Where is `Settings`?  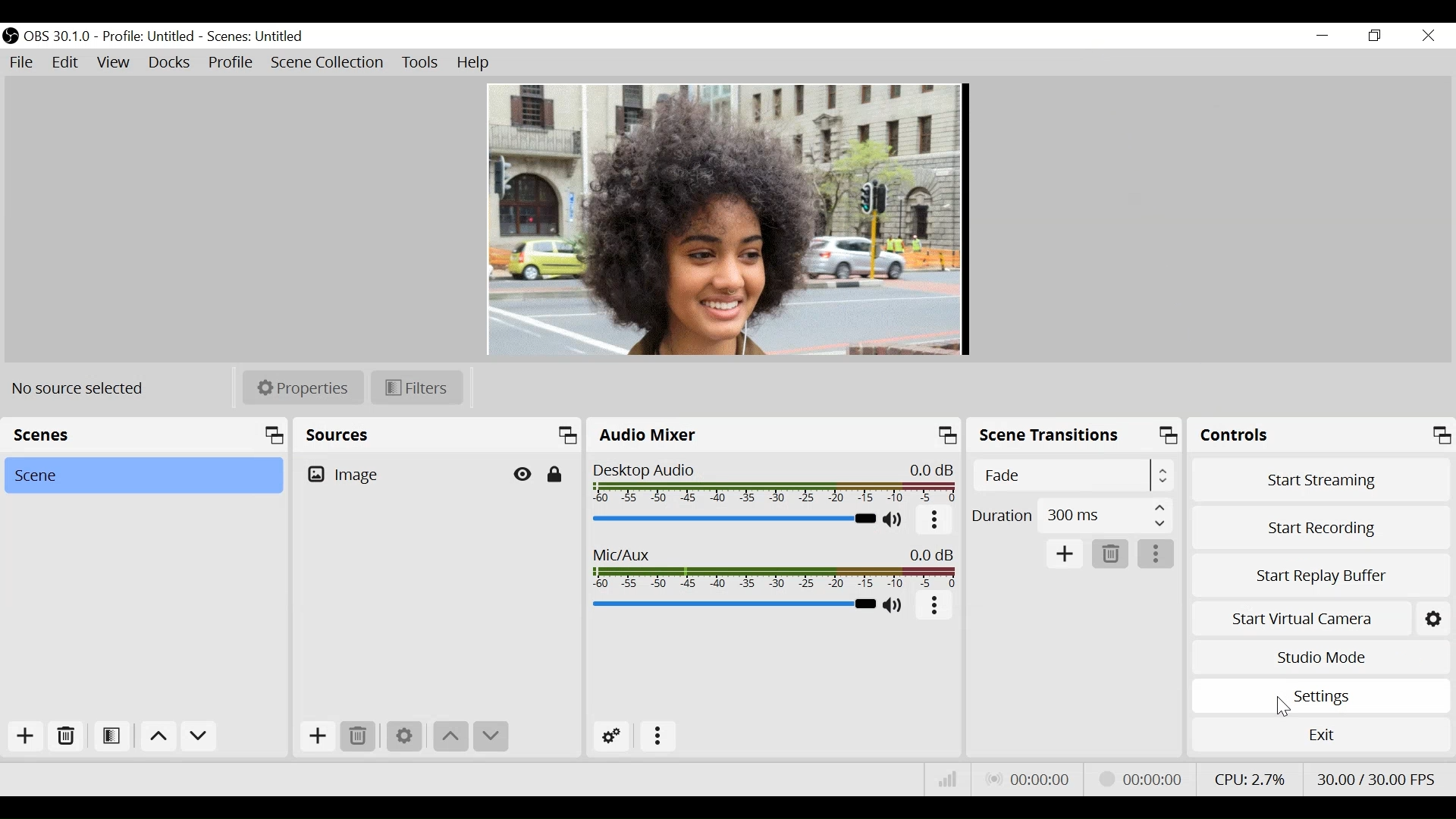
Settings is located at coordinates (1321, 696).